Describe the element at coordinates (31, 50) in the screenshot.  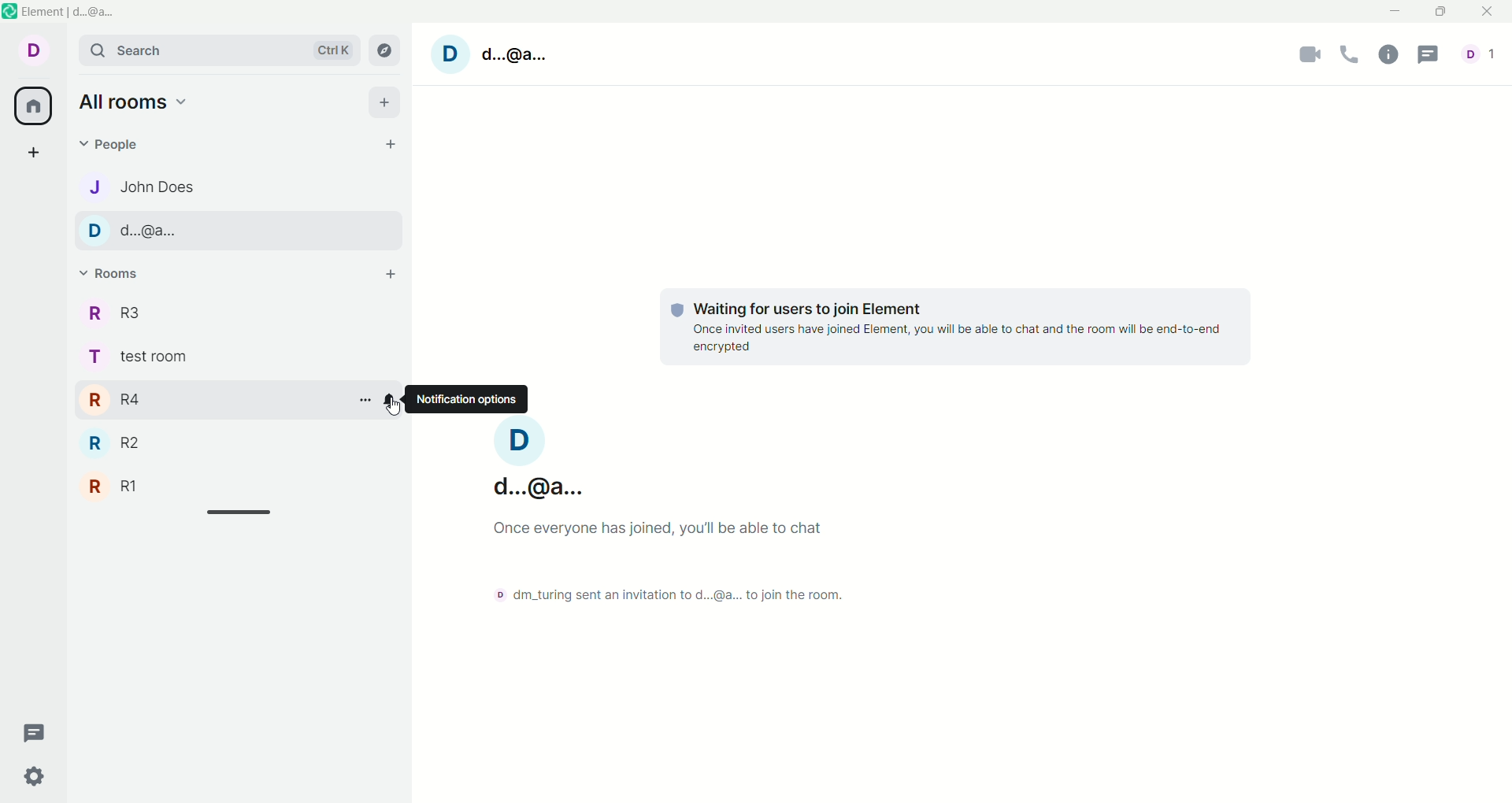
I see `Current account` at that location.